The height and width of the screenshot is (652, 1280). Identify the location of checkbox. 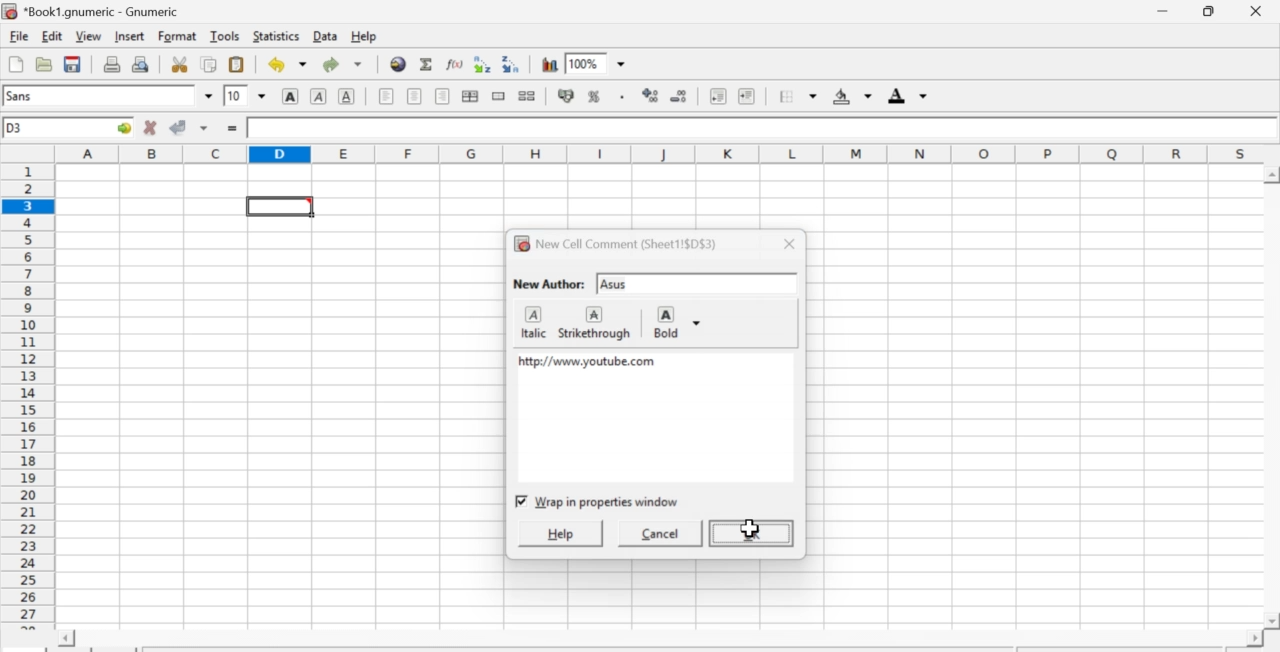
(600, 502).